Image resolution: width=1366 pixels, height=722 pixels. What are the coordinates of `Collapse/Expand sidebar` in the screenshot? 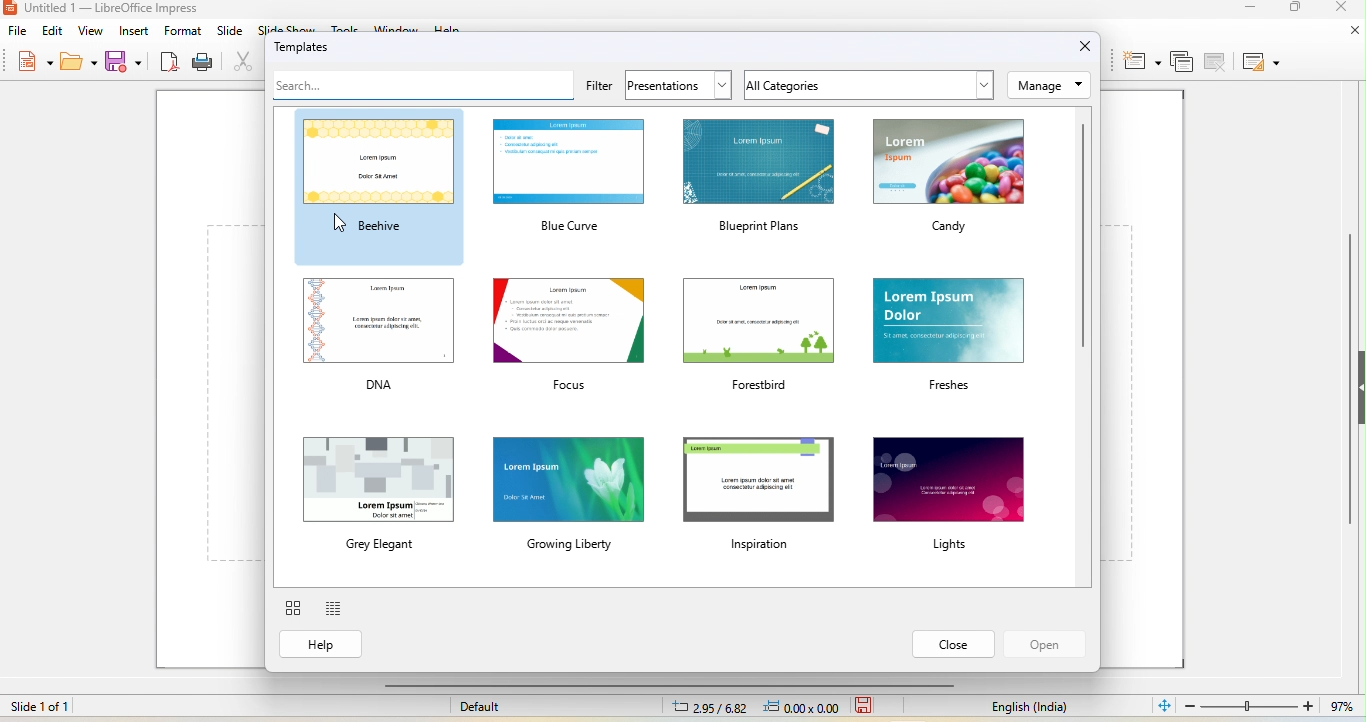 It's located at (1362, 387).